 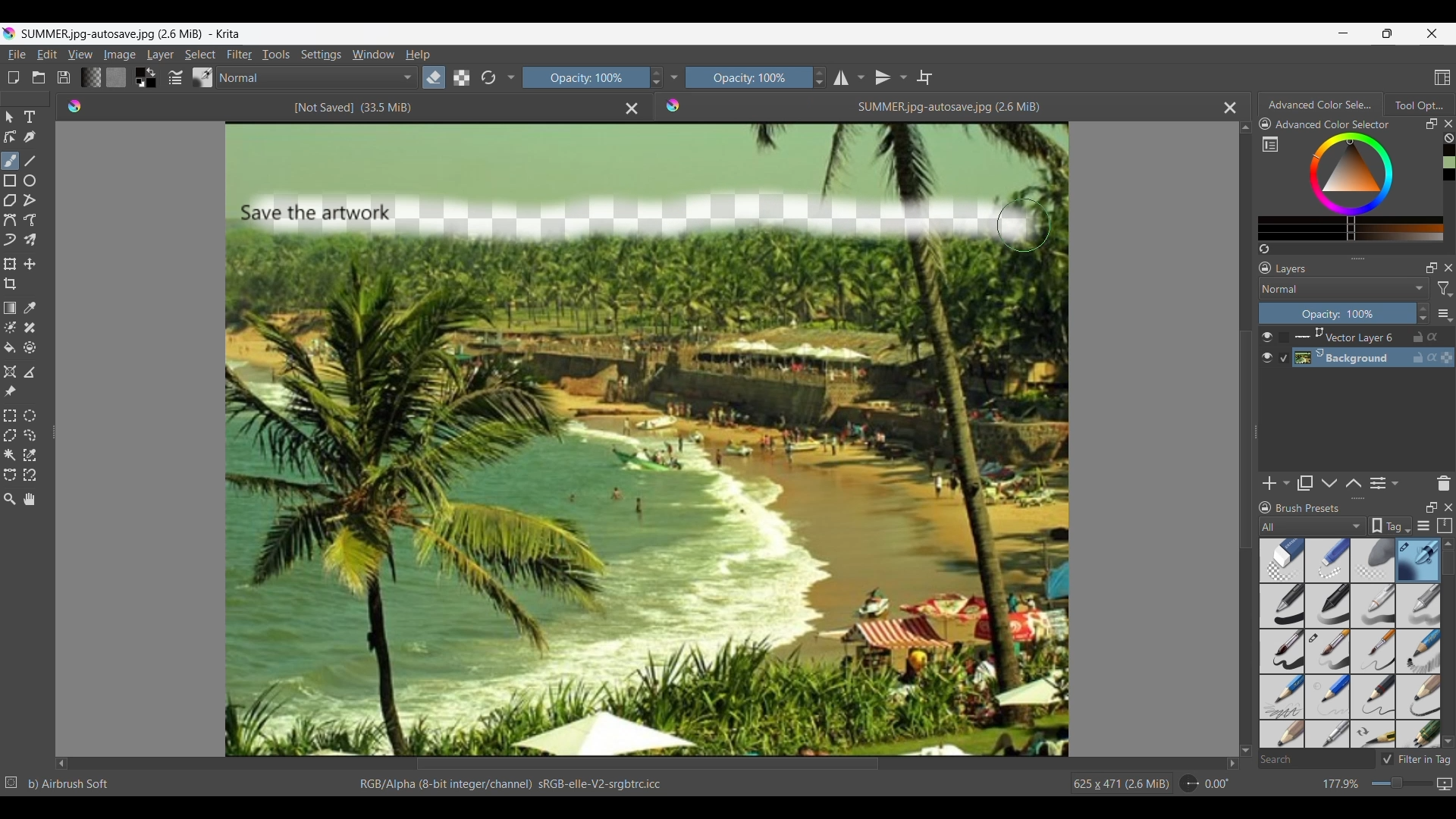 What do you see at coordinates (1351, 498) in the screenshot?
I see `Change height of panels attached` at bounding box center [1351, 498].